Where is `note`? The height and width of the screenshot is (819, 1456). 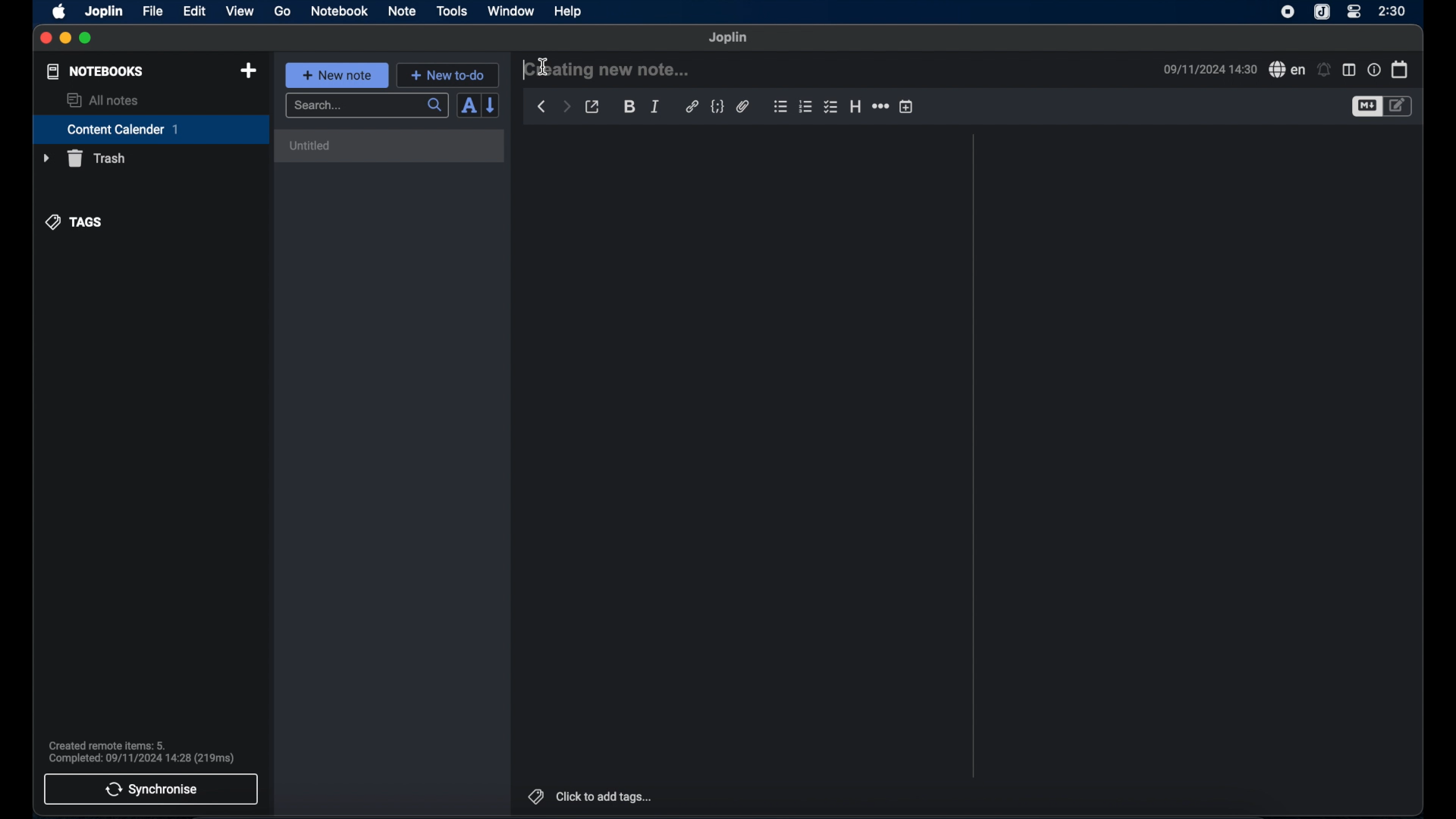
note is located at coordinates (402, 12).